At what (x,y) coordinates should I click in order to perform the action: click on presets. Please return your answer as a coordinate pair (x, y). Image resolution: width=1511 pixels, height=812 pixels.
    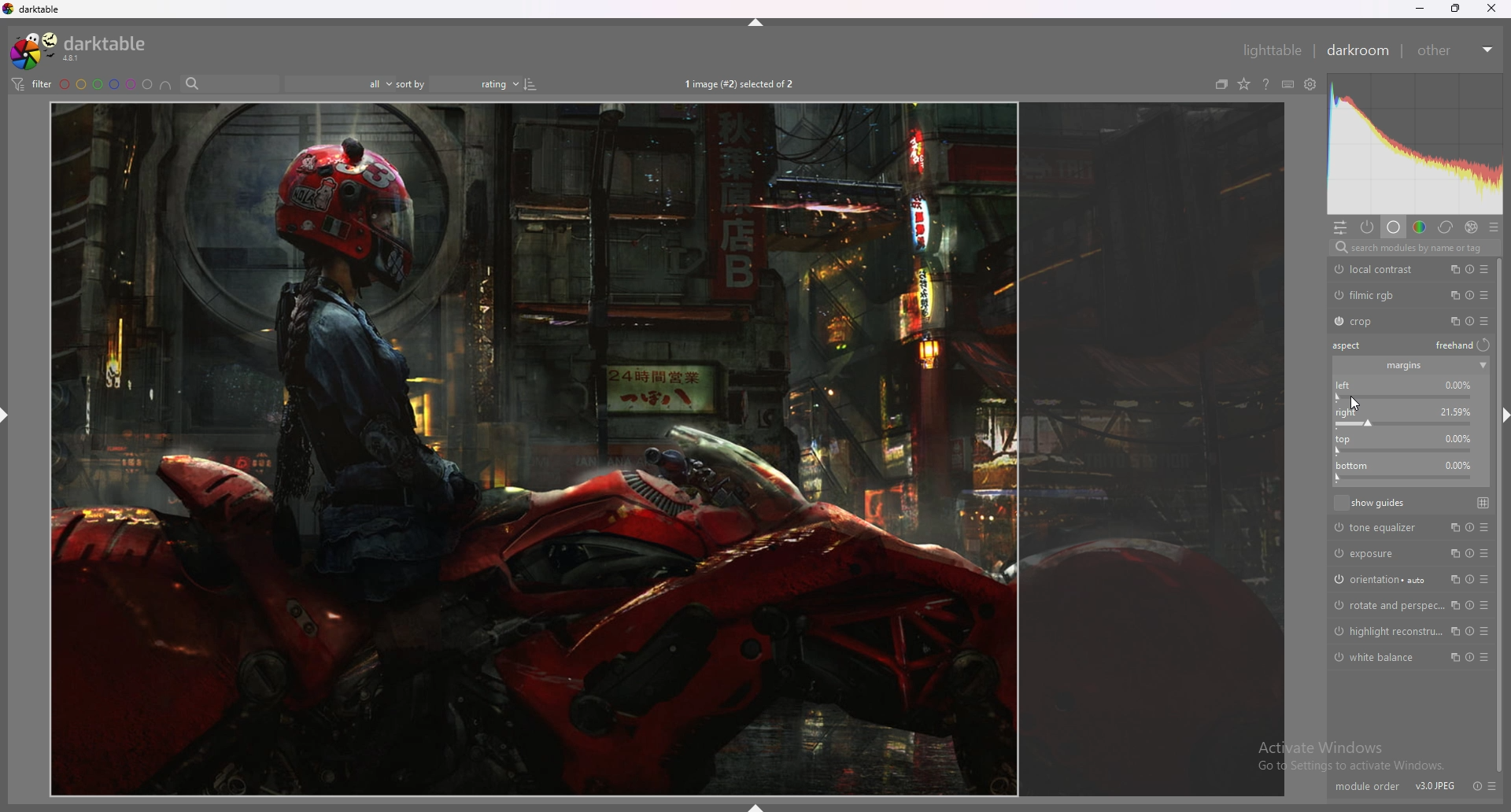
    Looking at the image, I should click on (1488, 606).